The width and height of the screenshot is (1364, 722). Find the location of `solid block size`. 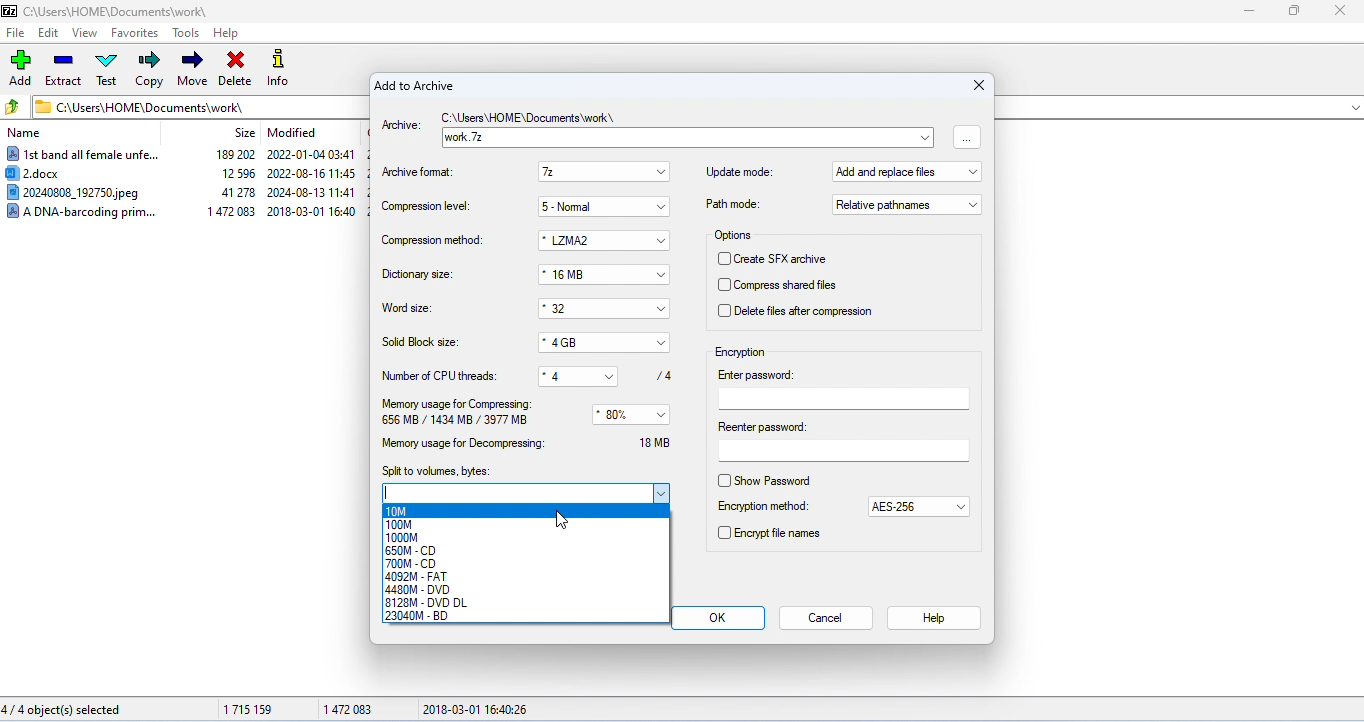

solid block size is located at coordinates (422, 342).